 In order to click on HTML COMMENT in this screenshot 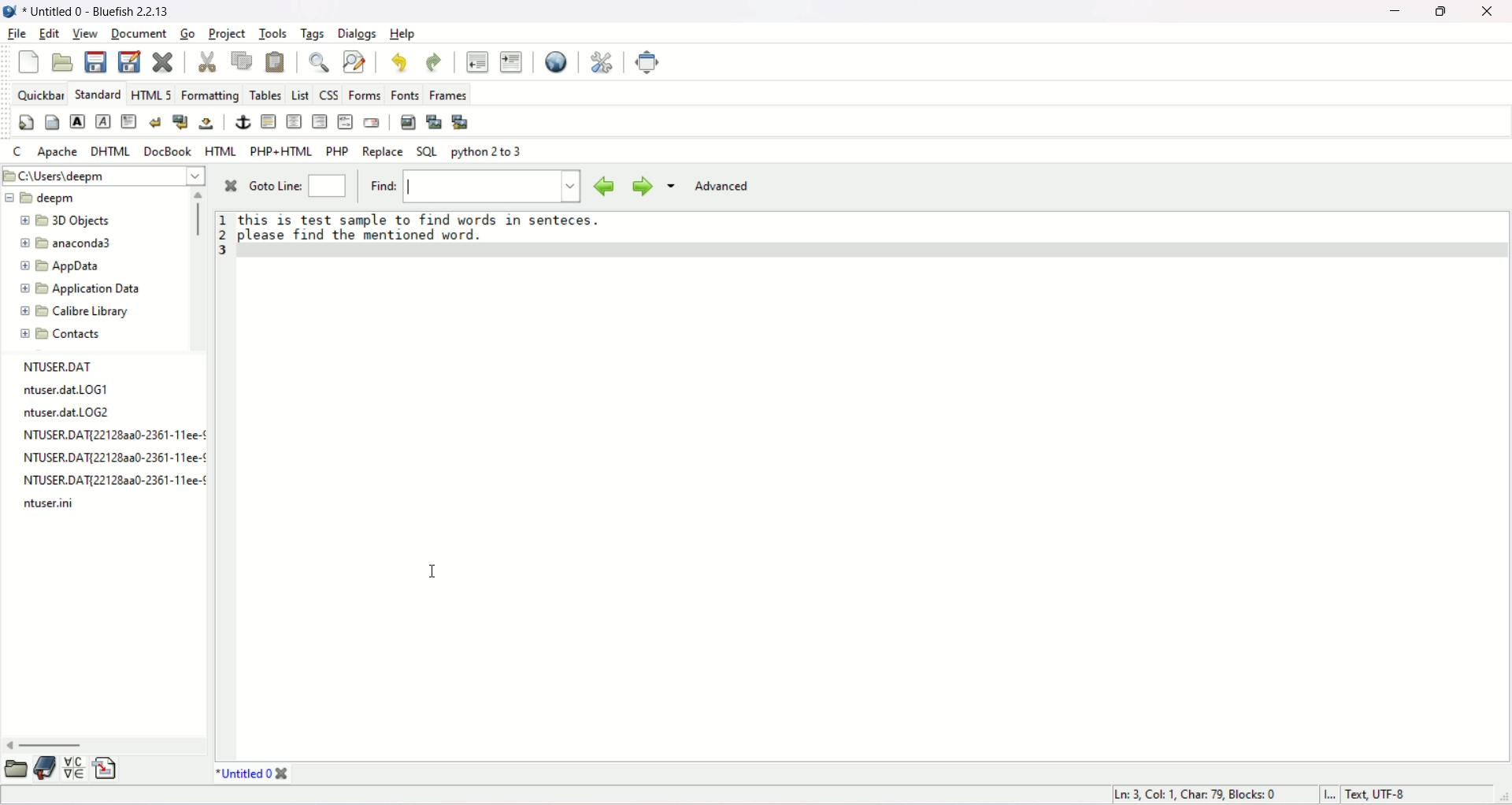, I will do `click(343, 123)`.